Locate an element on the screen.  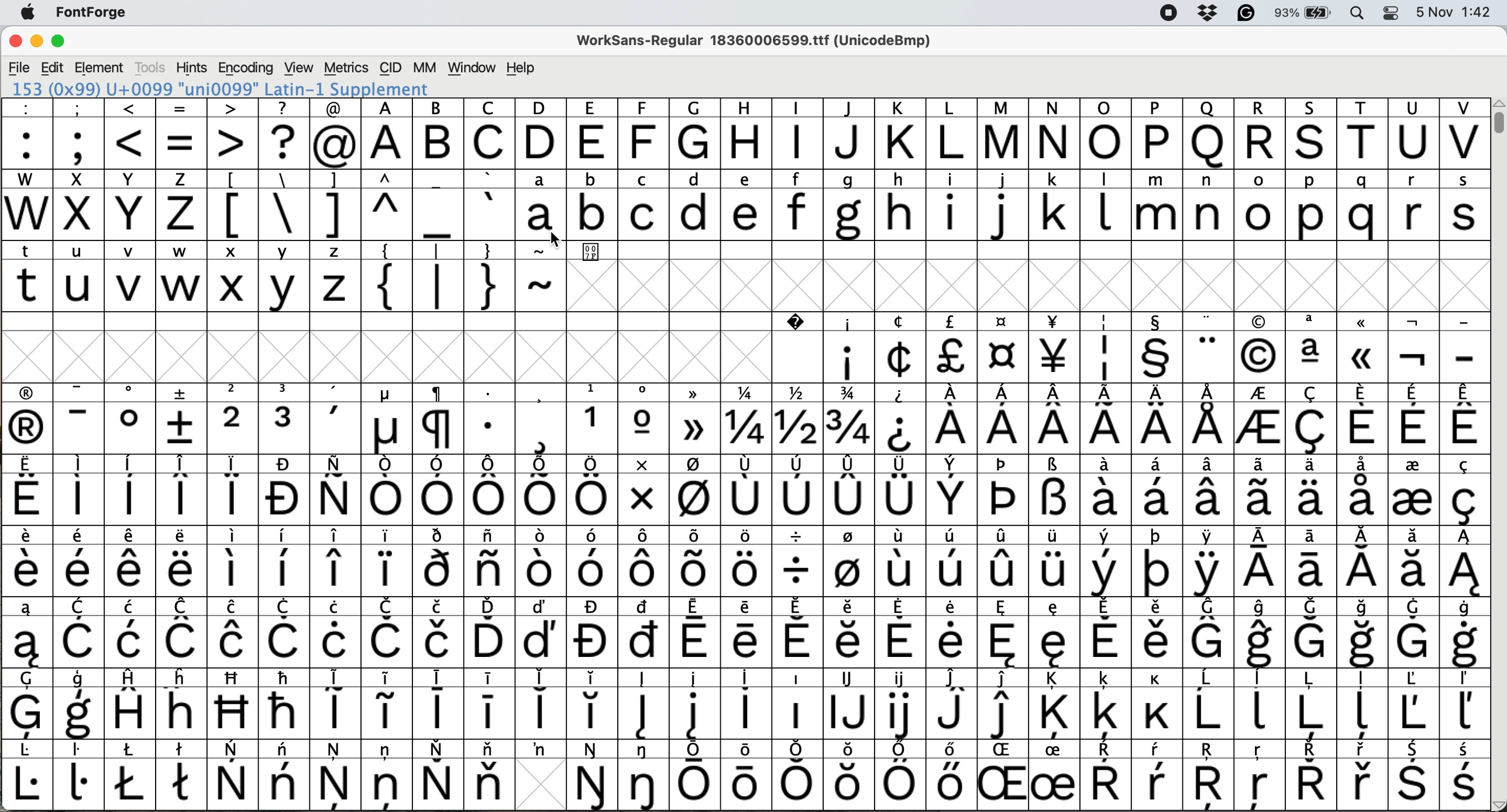
symbol is located at coordinates (132, 562).